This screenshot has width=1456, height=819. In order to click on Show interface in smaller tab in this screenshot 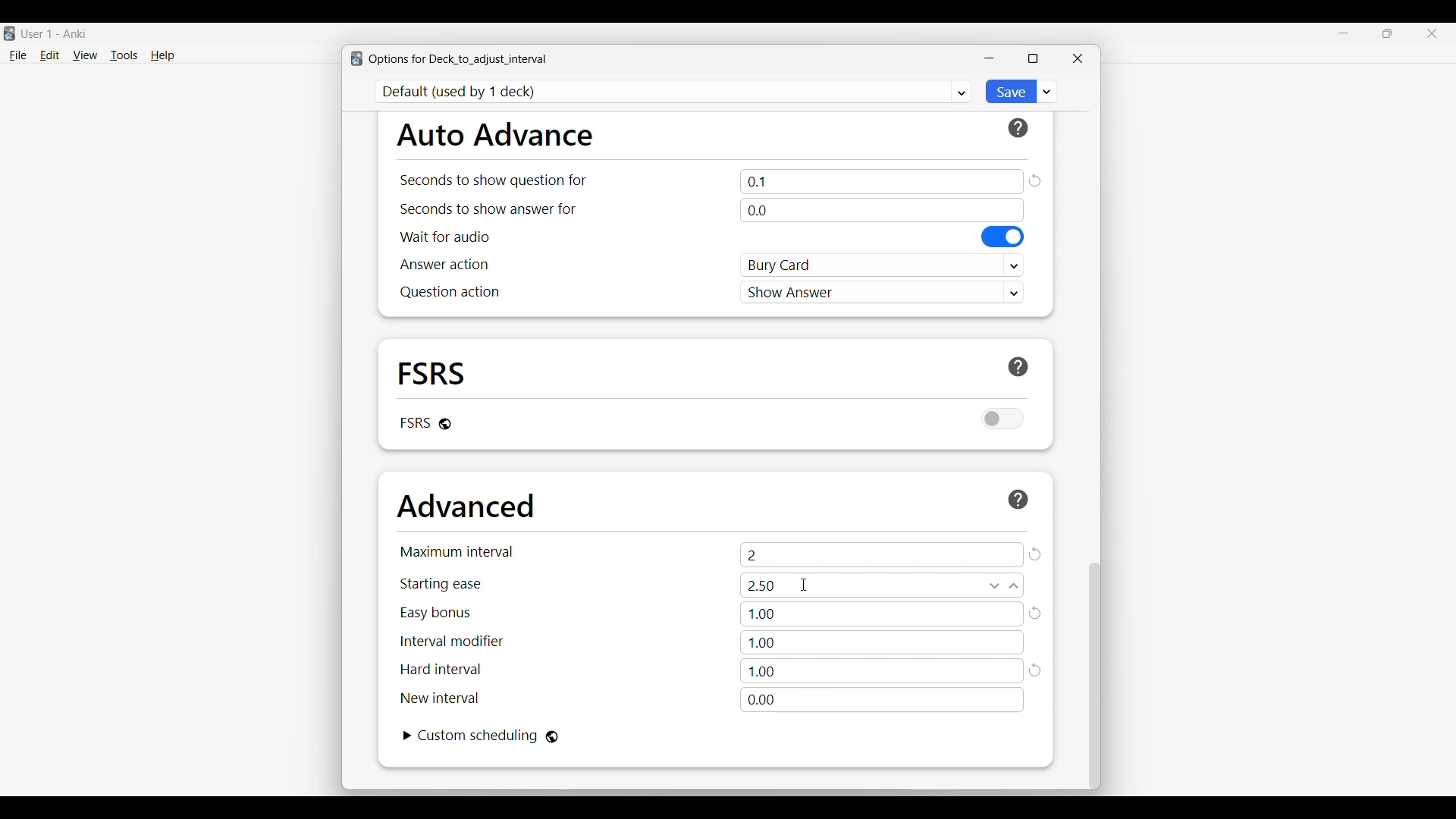, I will do `click(1388, 33)`.